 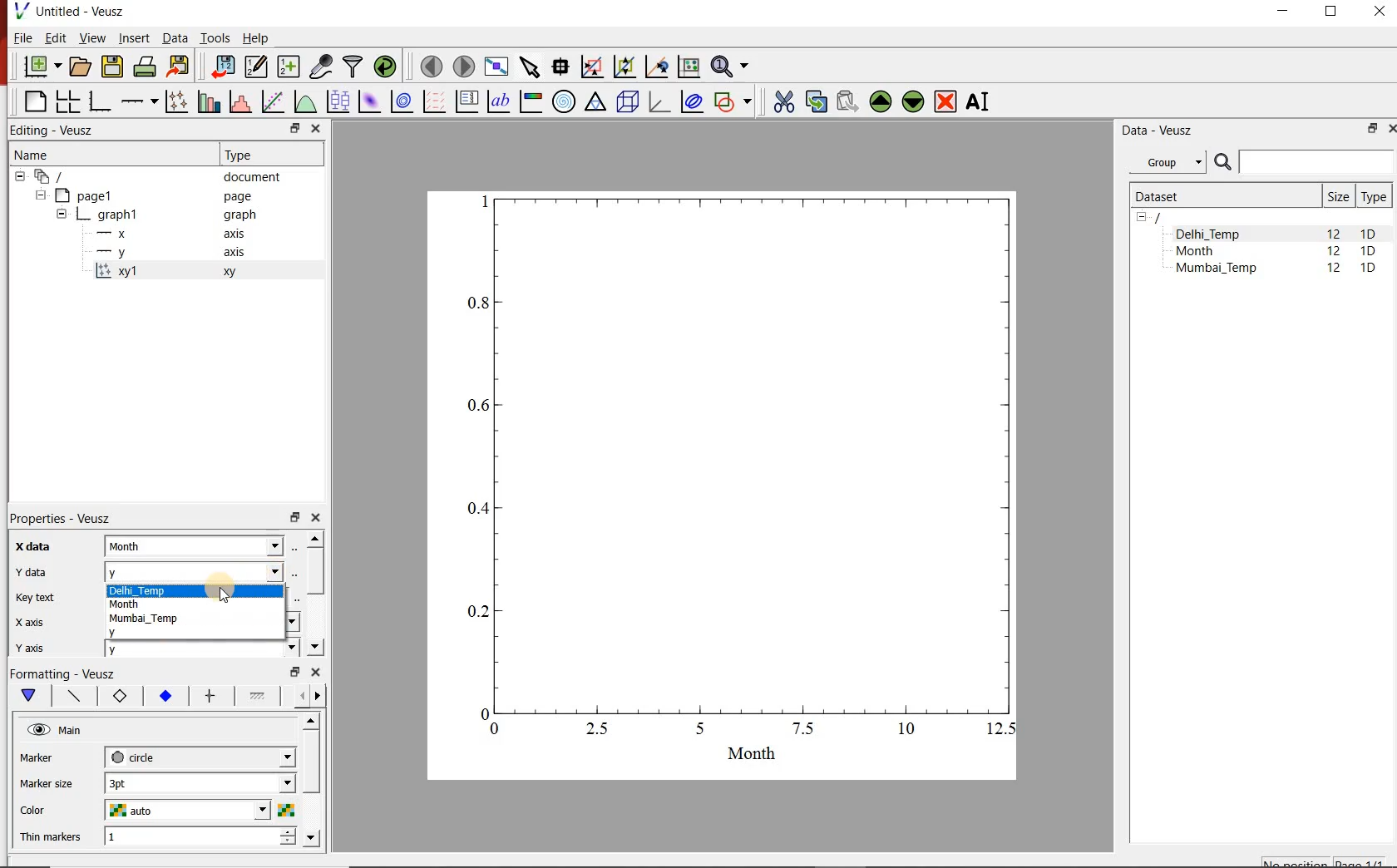 What do you see at coordinates (79, 67) in the screenshot?
I see `open a document` at bounding box center [79, 67].